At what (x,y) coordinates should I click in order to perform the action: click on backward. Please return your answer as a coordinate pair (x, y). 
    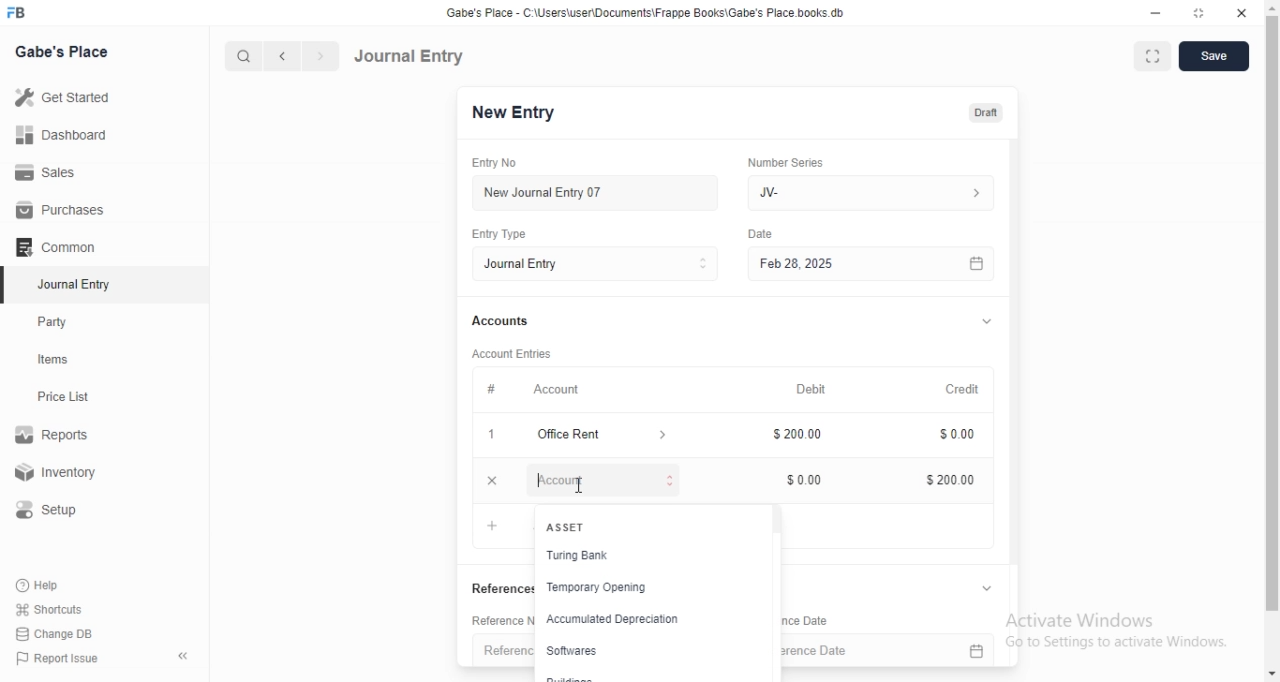
    Looking at the image, I should click on (281, 56).